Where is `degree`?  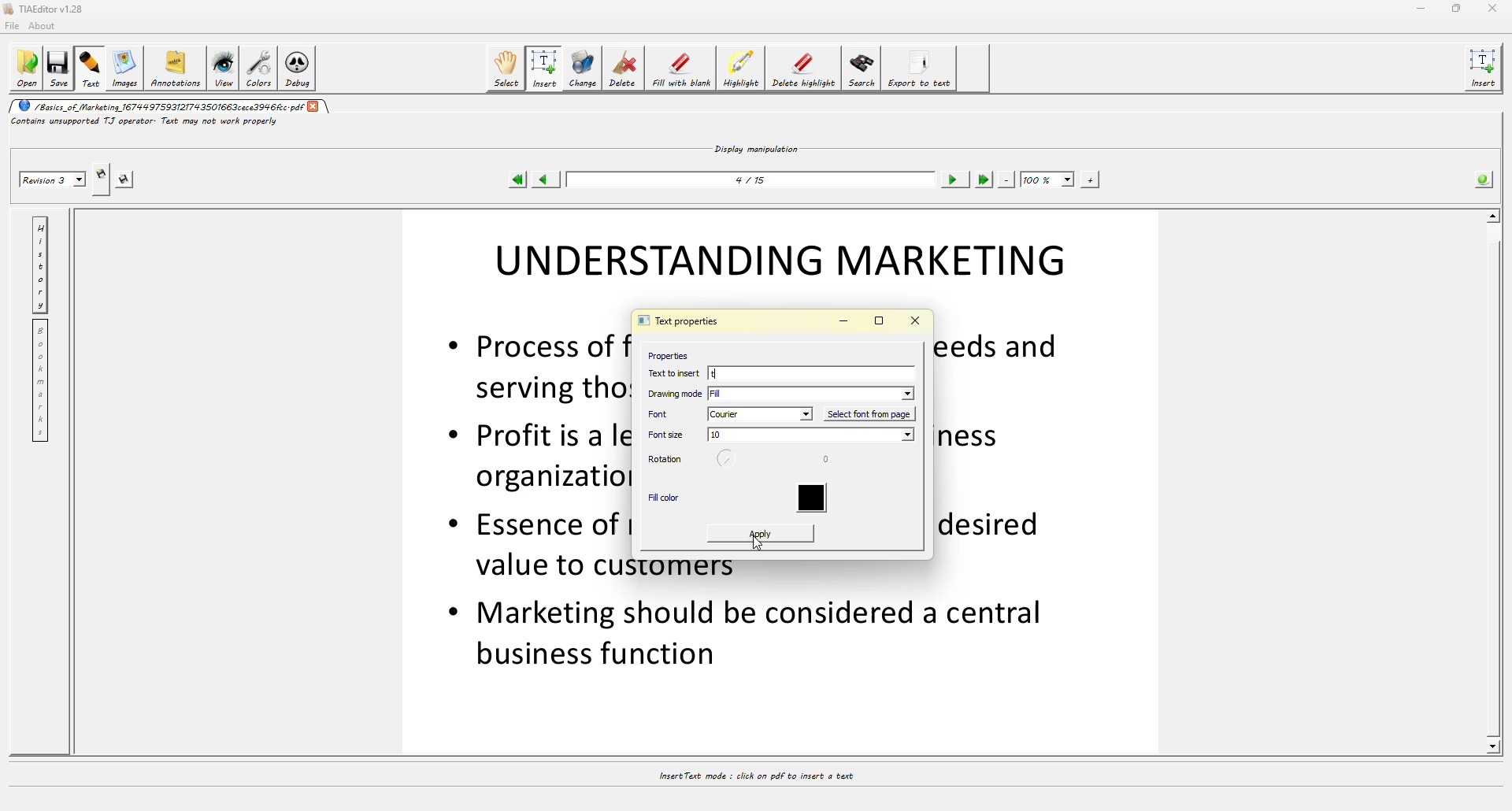
degree is located at coordinates (832, 461).